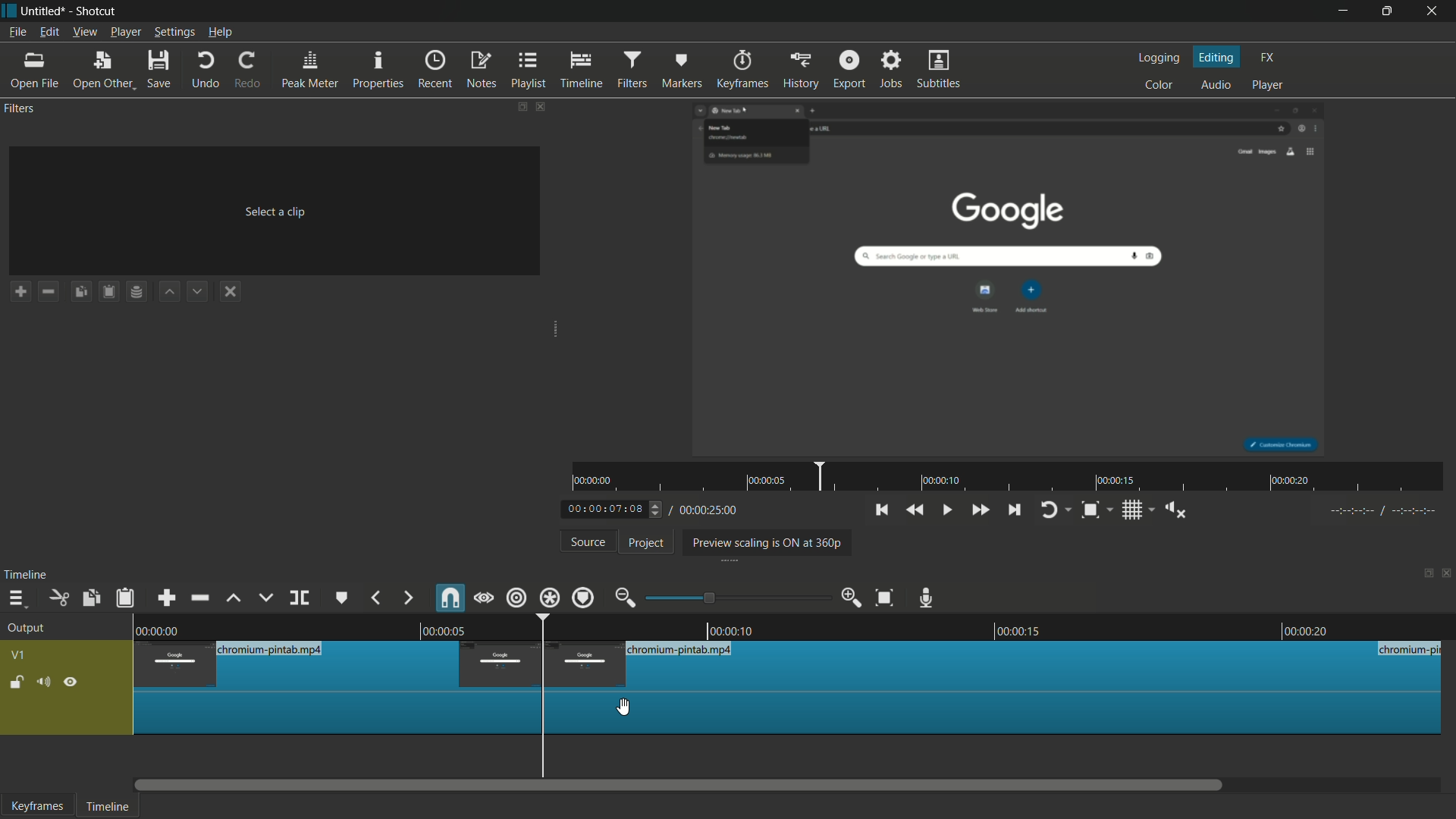 Image resolution: width=1456 pixels, height=819 pixels. I want to click on zoom timeline to fit, so click(888, 597).